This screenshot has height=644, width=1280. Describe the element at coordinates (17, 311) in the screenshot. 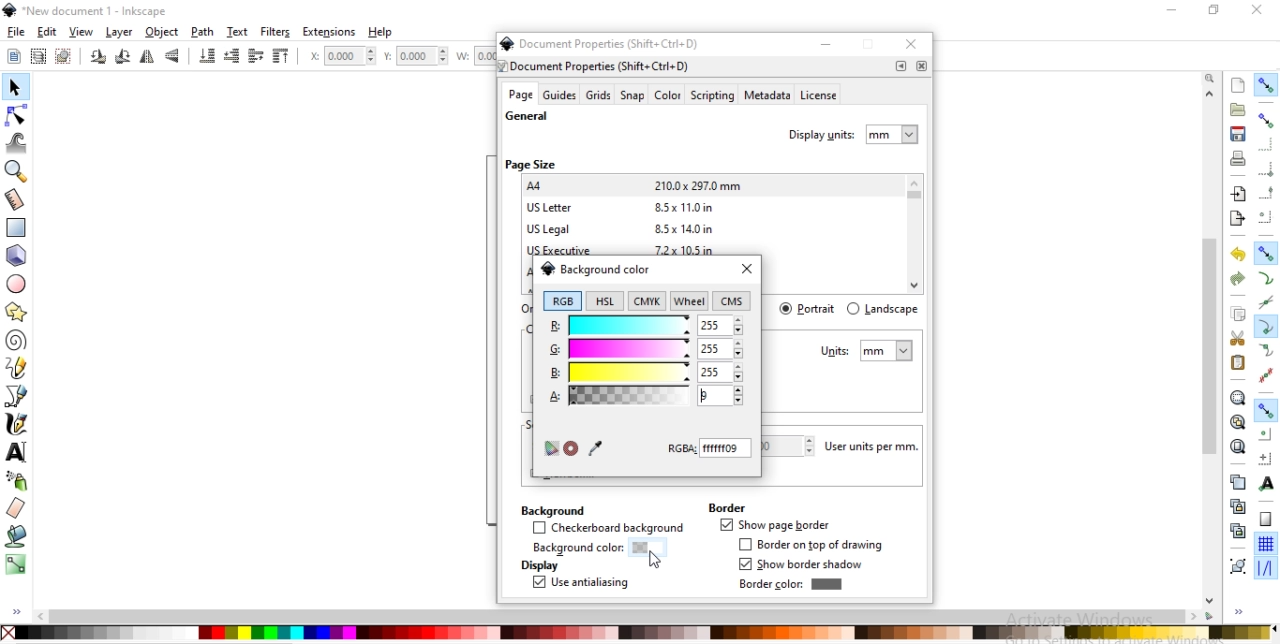

I see `create stars and polygons` at that location.